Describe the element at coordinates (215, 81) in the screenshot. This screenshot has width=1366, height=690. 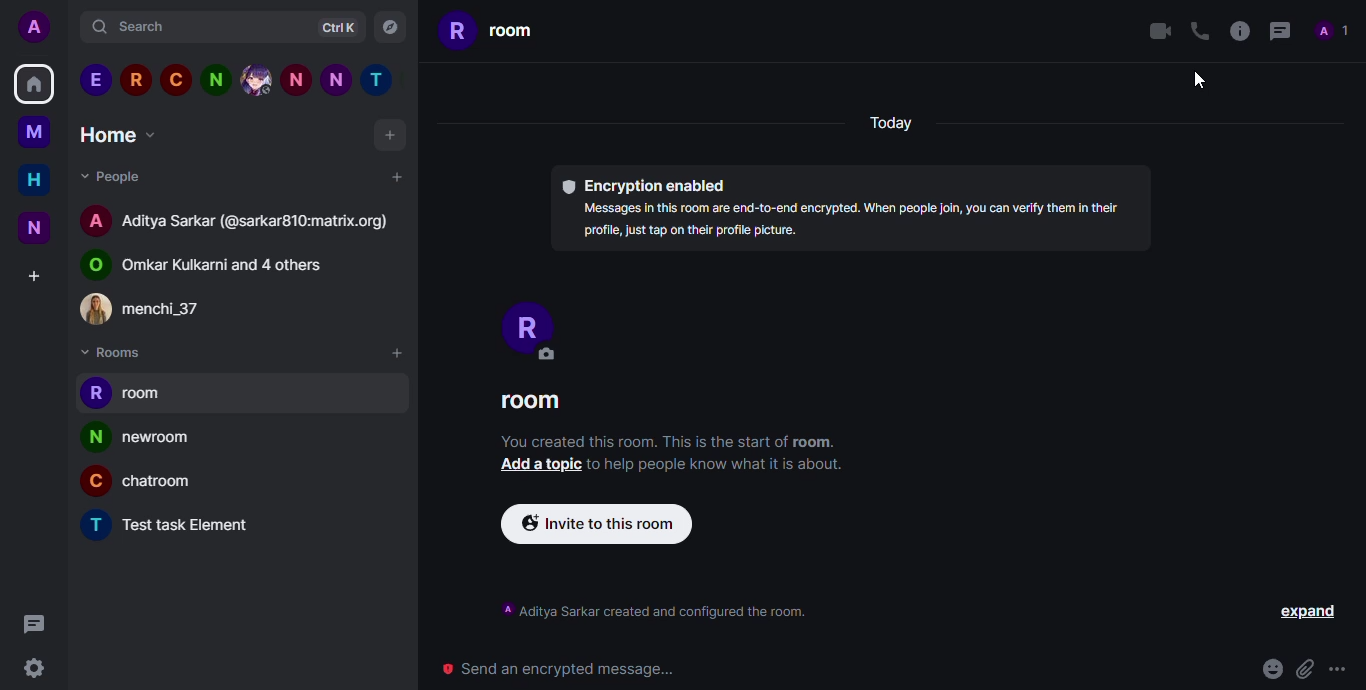
I see `Contact shortcut` at that location.